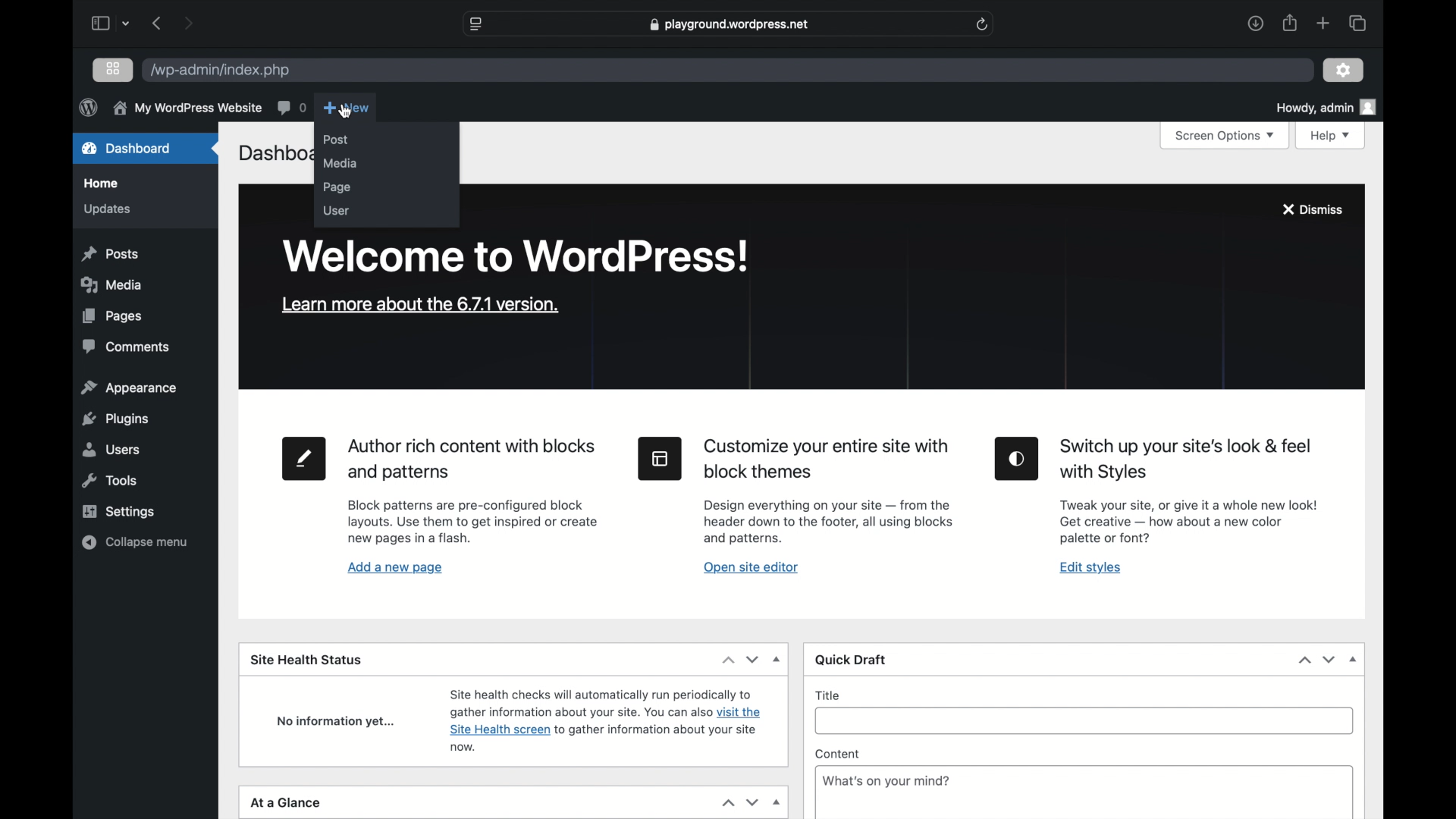 The image size is (1456, 819). I want to click on share, so click(1291, 24).